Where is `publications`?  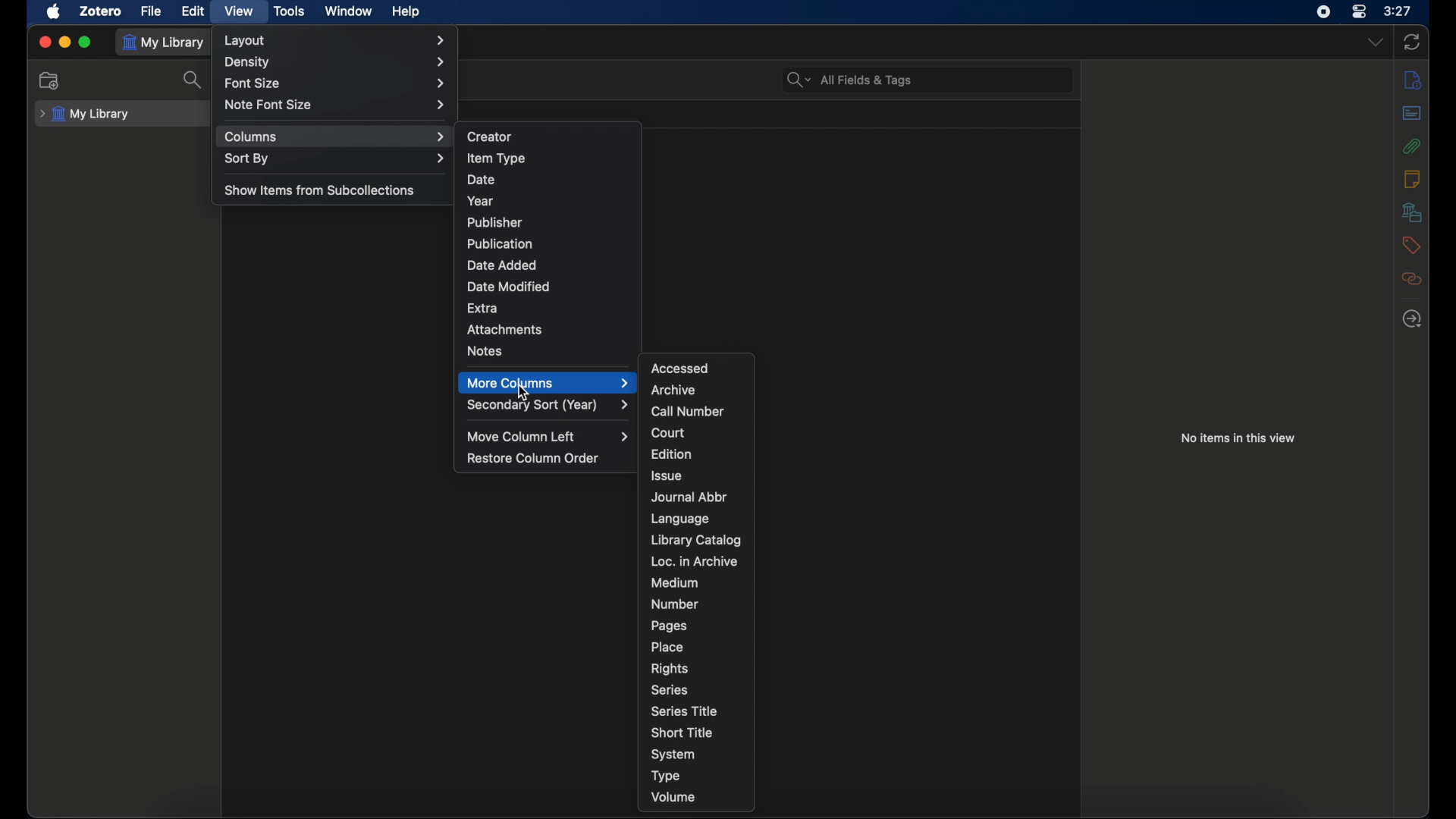 publications is located at coordinates (500, 243).